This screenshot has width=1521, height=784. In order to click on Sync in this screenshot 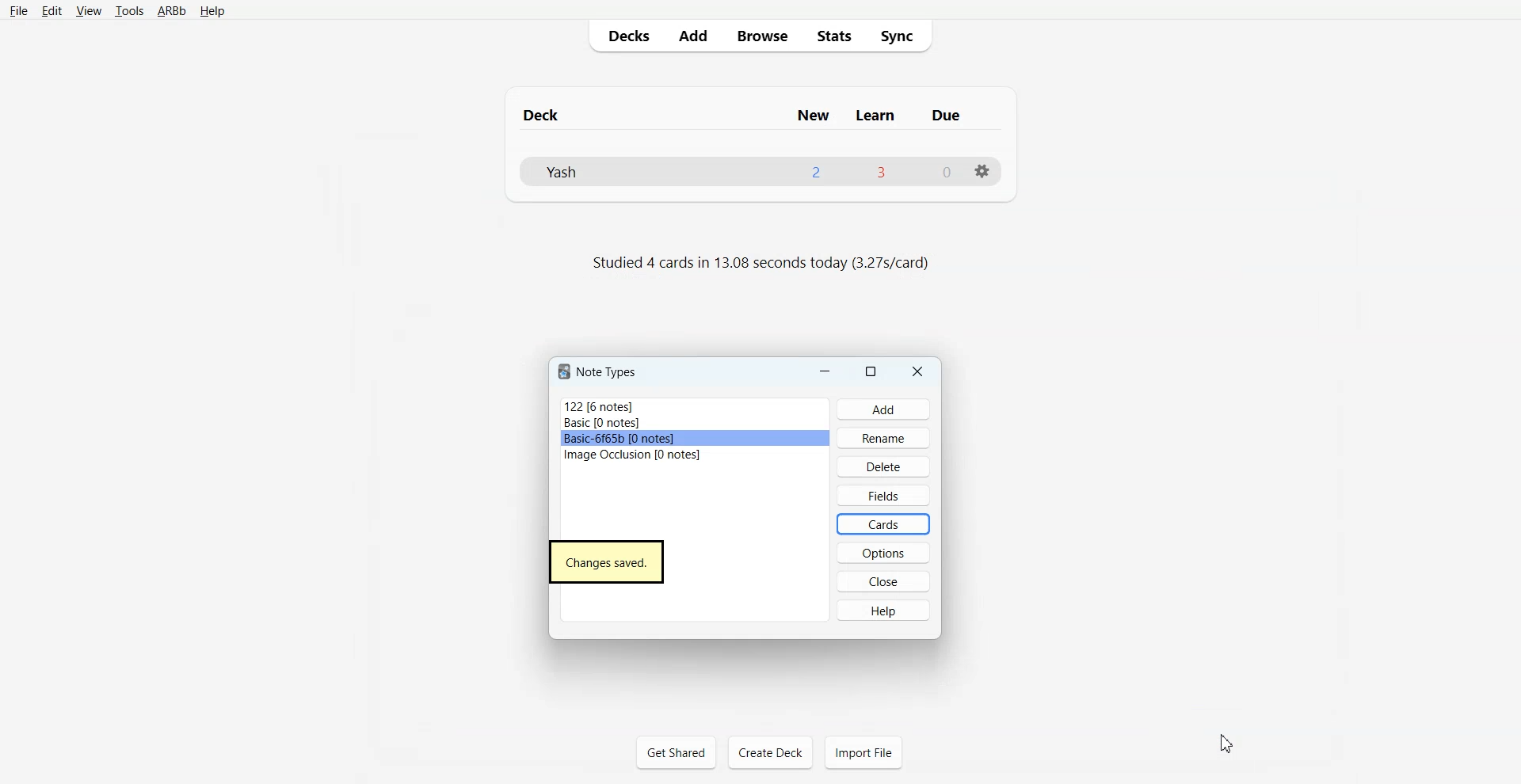, I will do `click(902, 36)`.